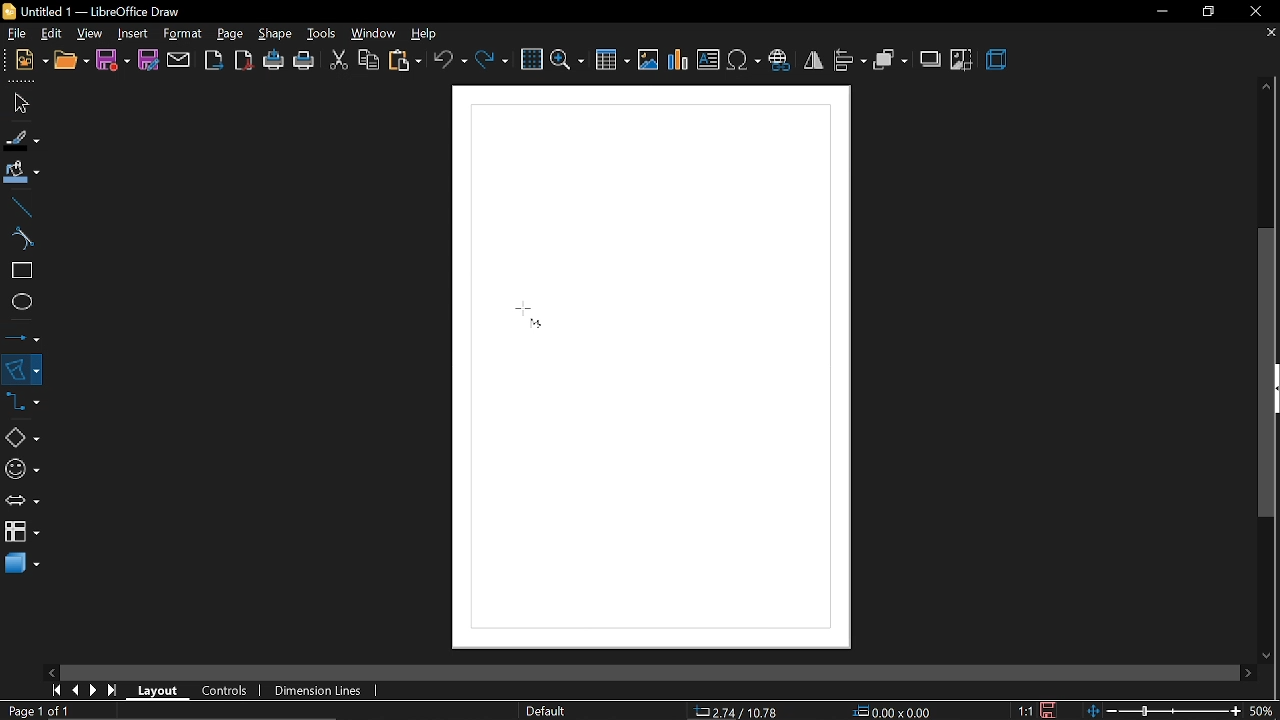 Image resolution: width=1280 pixels, height=720 pixels. Describe the element at coordinates (427, 34) in the screenshot. I see `help` at that location.